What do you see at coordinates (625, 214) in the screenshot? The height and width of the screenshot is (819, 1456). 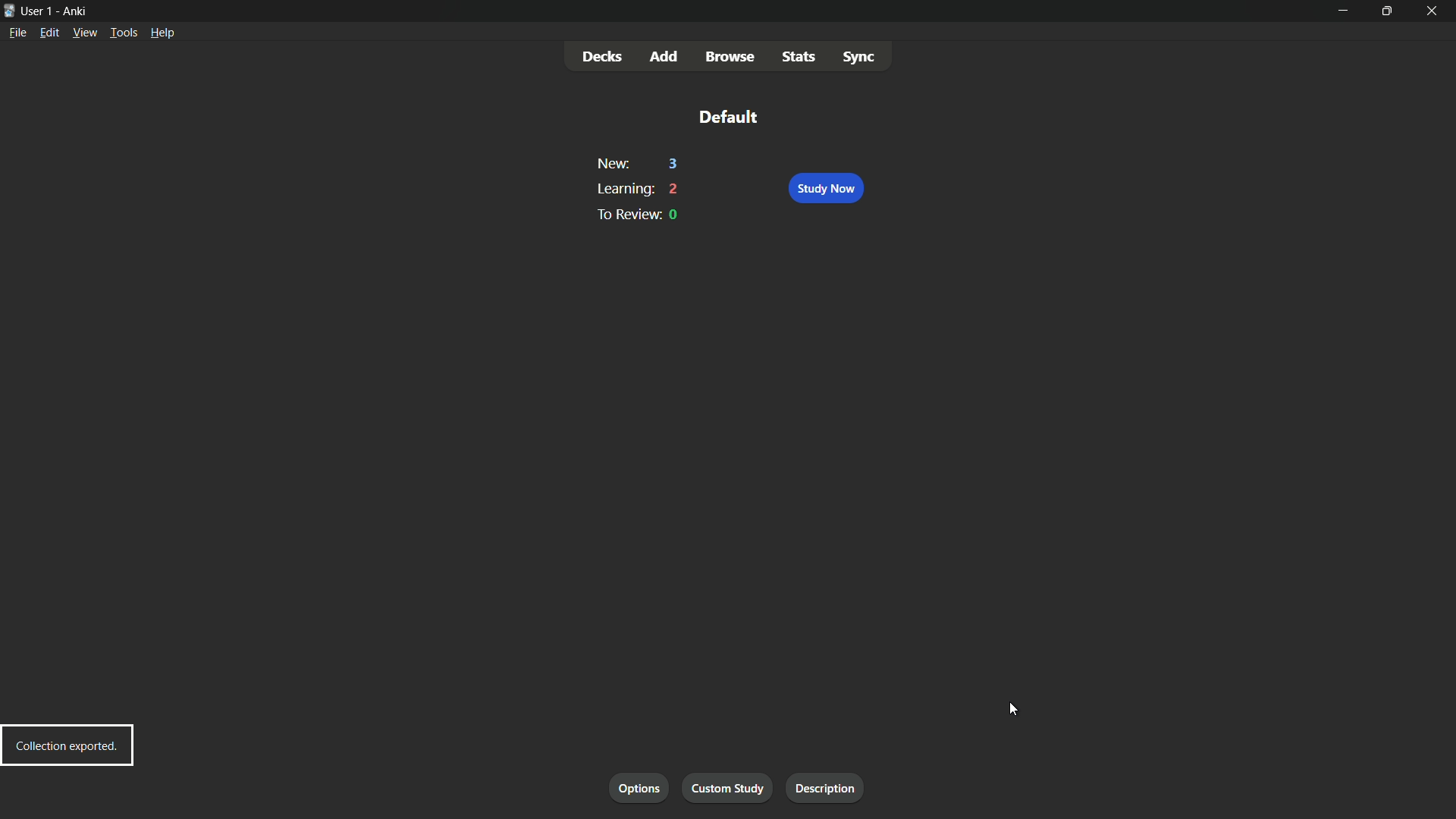 I see `to review` at bounding box center [625, 214].